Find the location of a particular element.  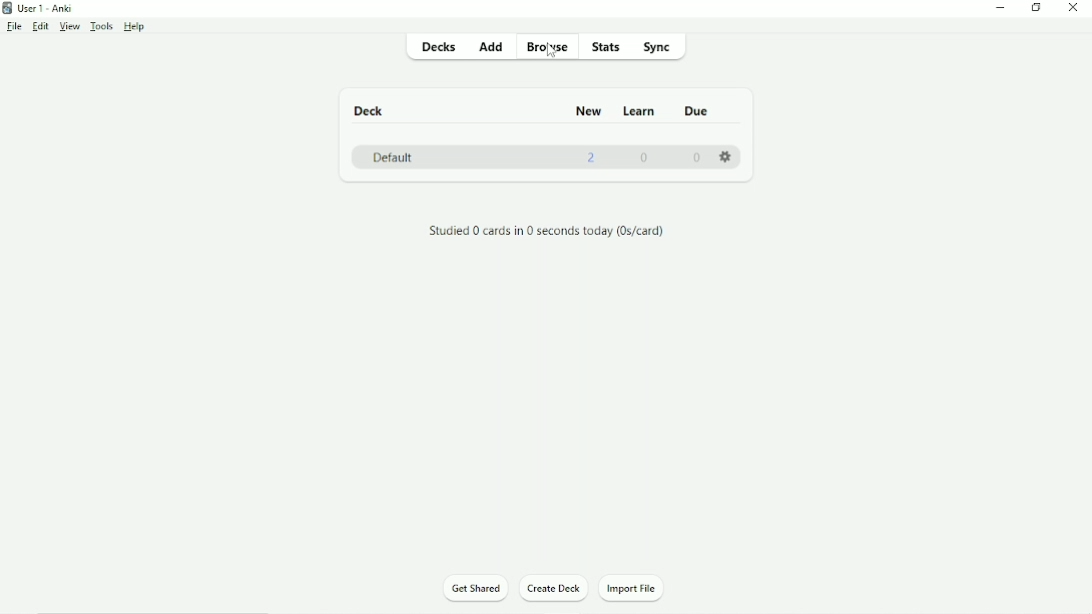

Restore down is located at coordinates (1039, 9).